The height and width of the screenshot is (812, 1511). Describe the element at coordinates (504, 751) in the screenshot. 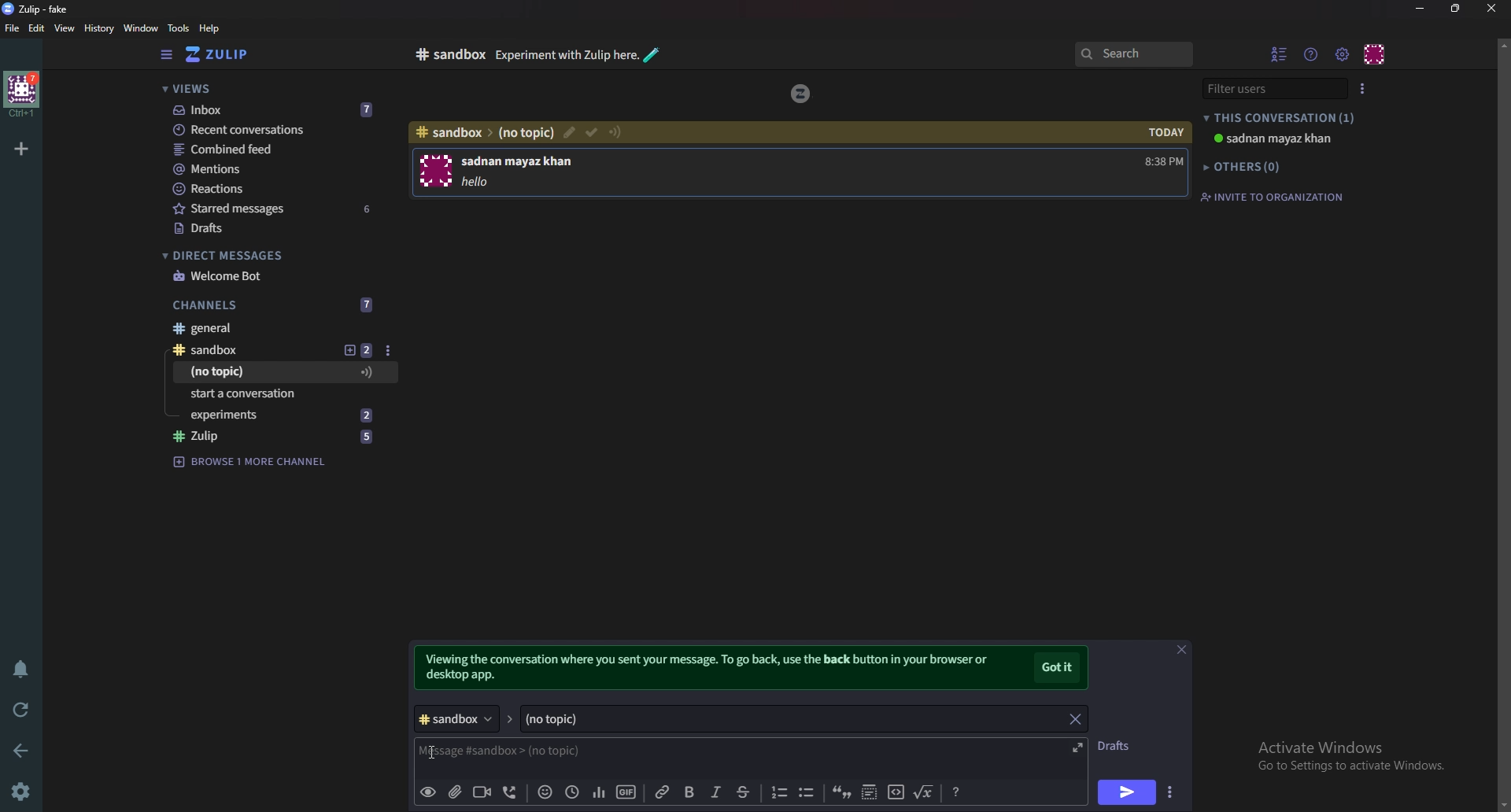

I see `message # sandbox > (no topic)` at that location.